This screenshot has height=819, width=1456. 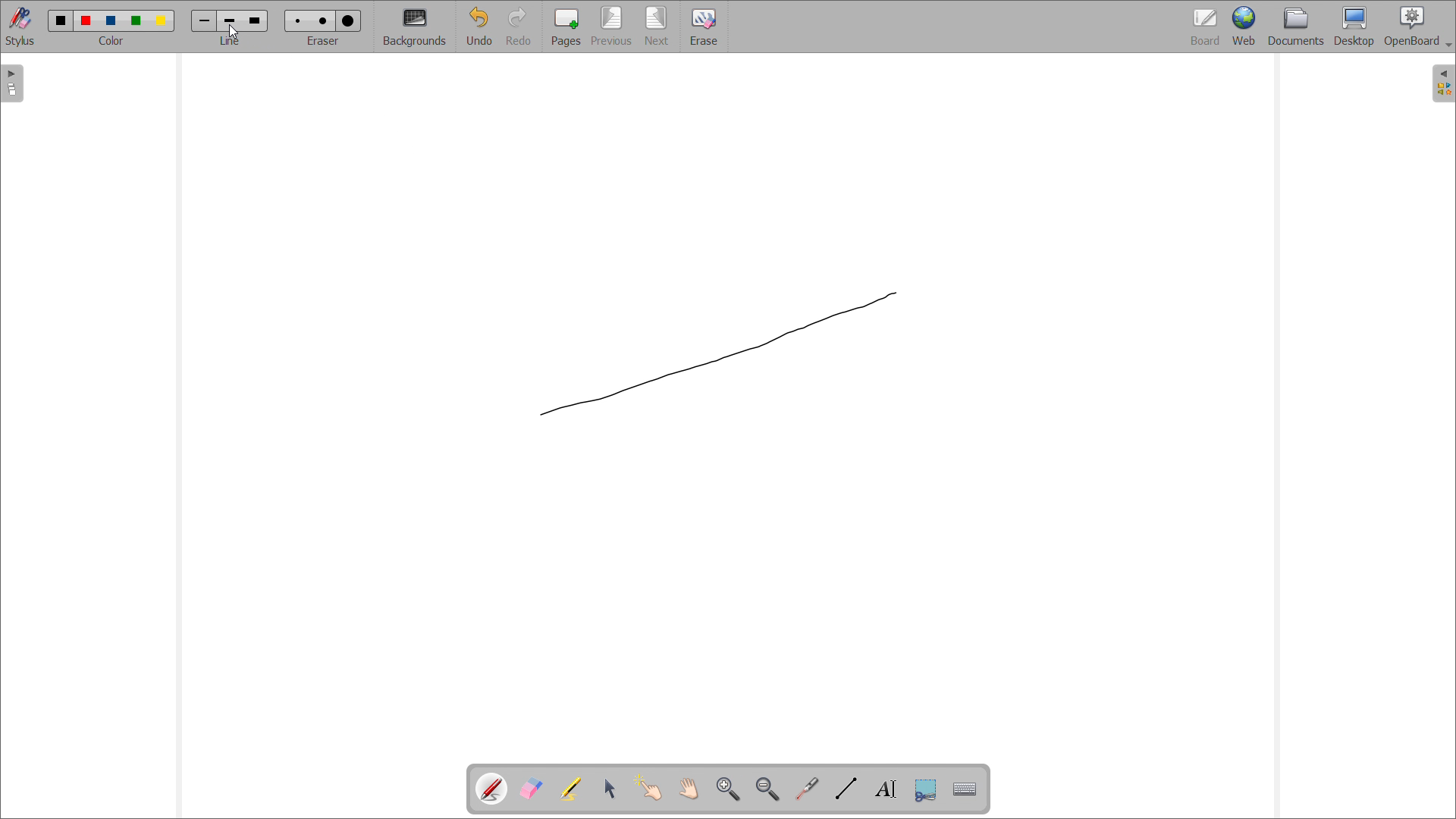 What do you see at coordinates (1443, 83) in the screenshot?
I see `open folder view` at bounding box center [1443, 83].